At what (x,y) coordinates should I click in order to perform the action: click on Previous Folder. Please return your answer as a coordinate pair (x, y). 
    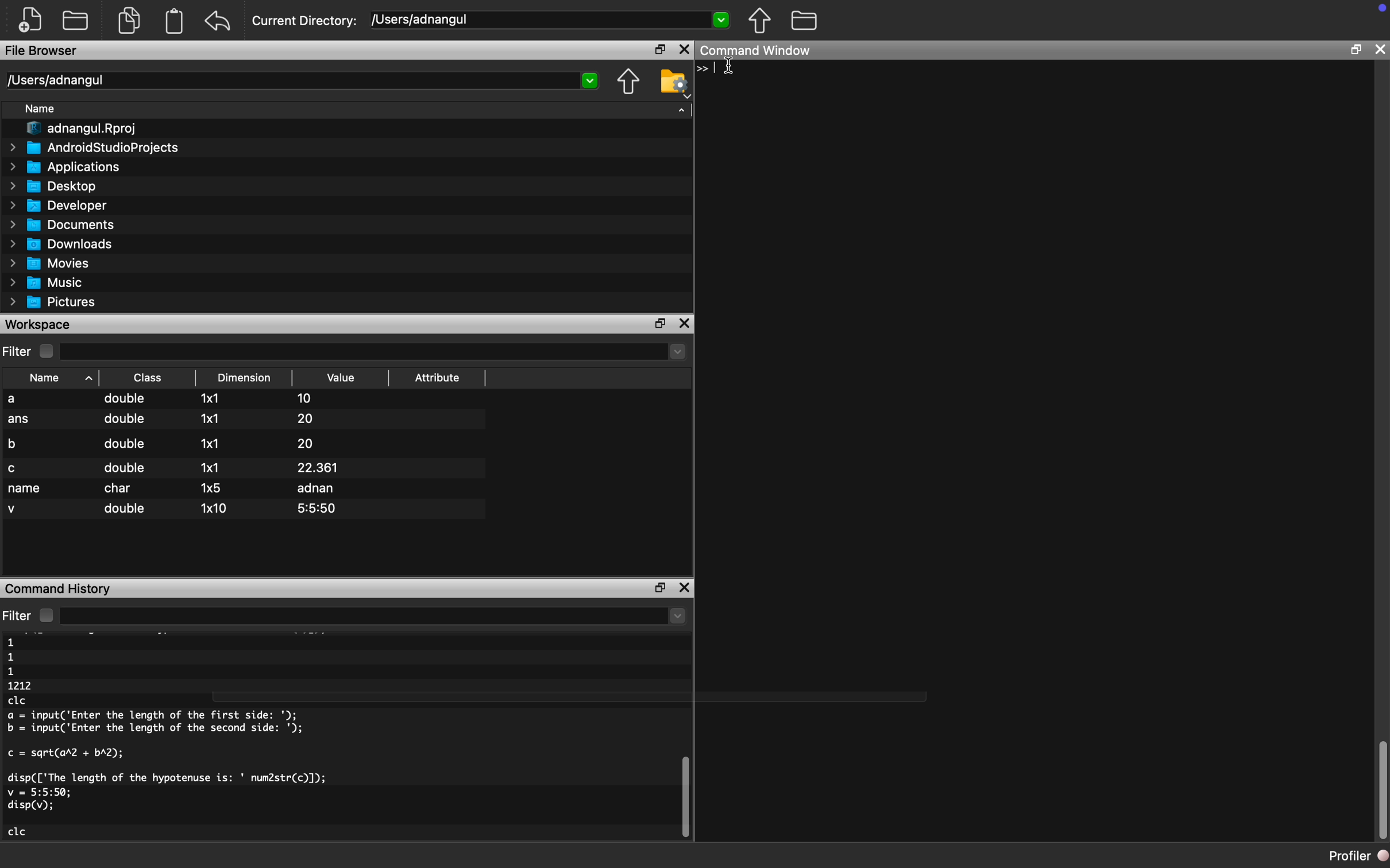
    Looking at the image, I should click on (759, 20).